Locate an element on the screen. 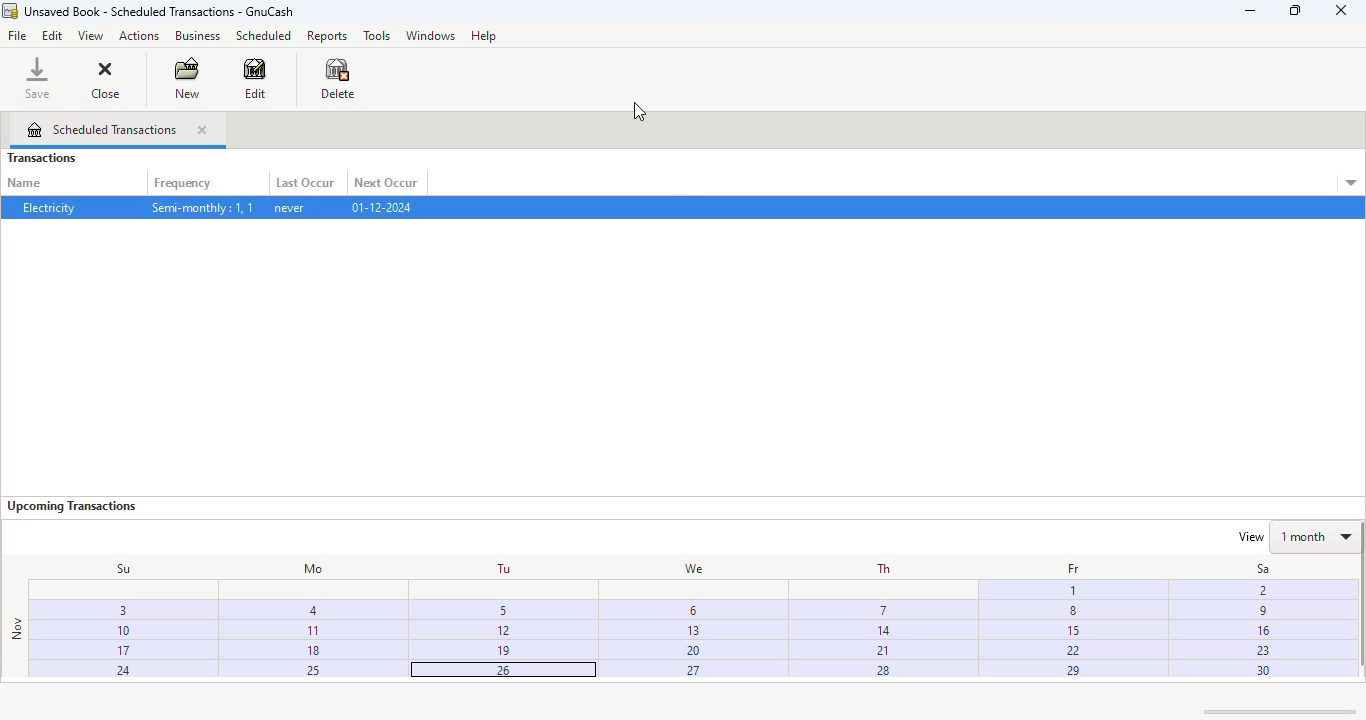  windows is located at coordinates (430, 35).